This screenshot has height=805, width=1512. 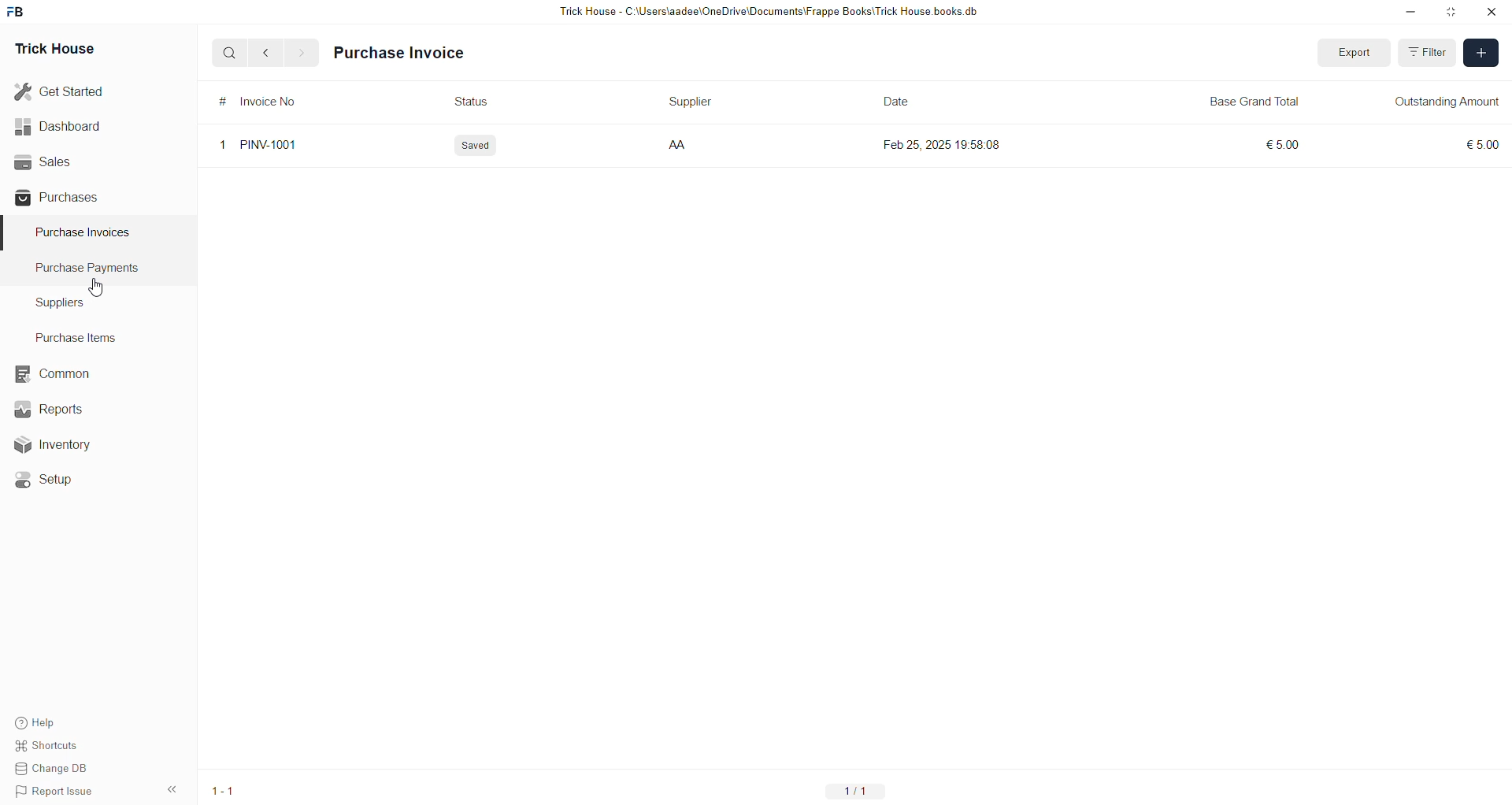 What do you see at coordinates (51, 789) in the screenshot?
I see `Report Issue` at bounding box center [51, 789].